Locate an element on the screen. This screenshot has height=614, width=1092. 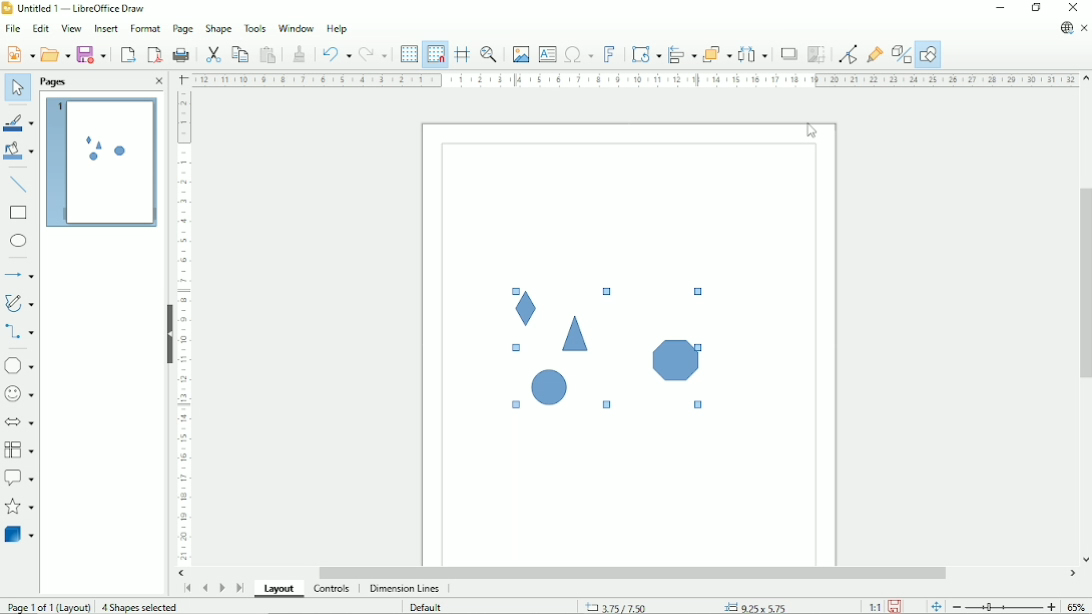
Scroll to next page is located at coordinates (222, 586).